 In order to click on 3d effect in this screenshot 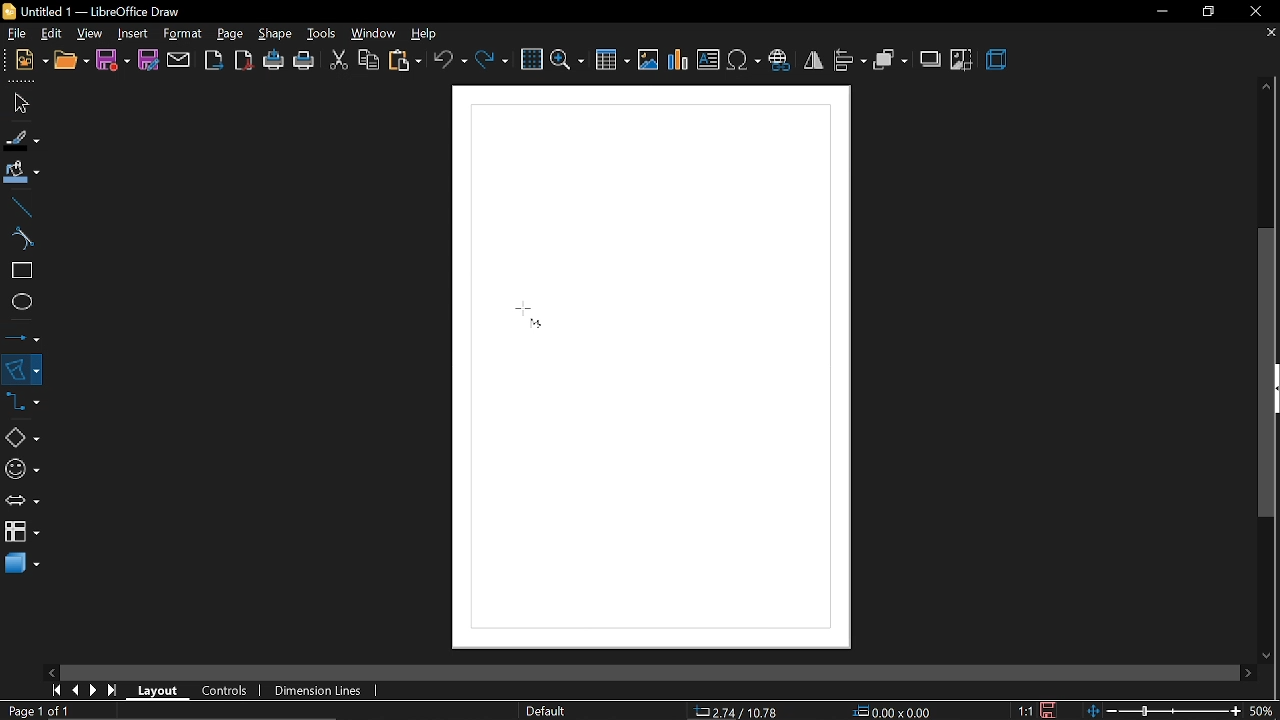, I will do `click(997, 60)`.